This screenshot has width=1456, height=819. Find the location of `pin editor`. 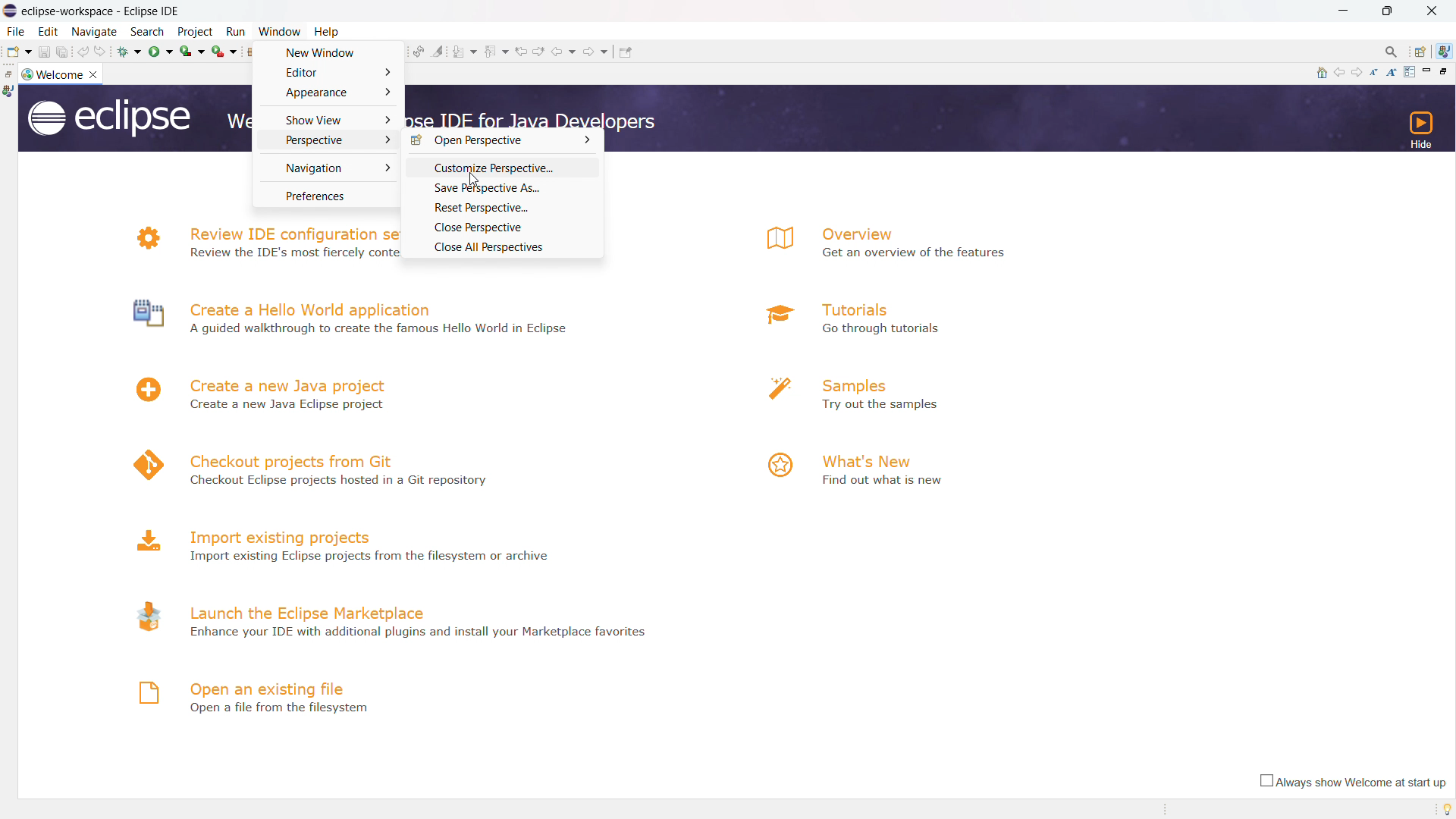

pin editor is located at coordinates (626, 52).